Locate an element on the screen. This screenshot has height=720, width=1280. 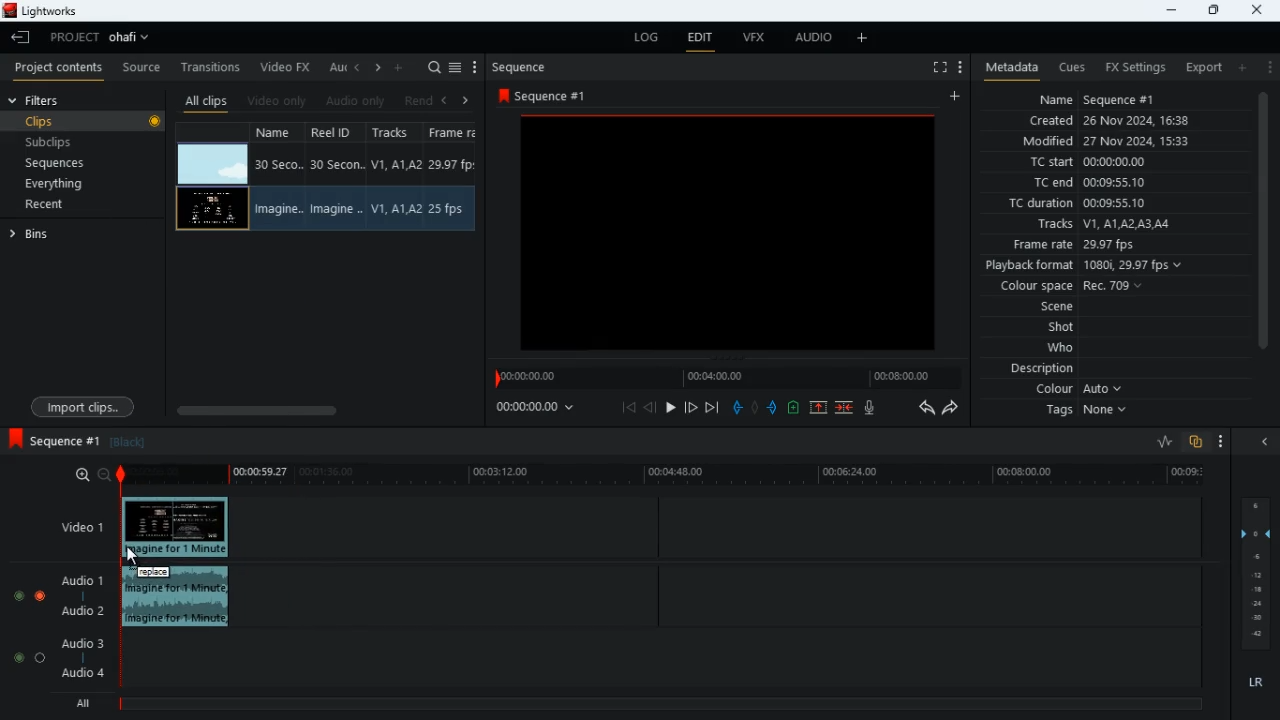
colour space is located at coordinates (1078, 285).